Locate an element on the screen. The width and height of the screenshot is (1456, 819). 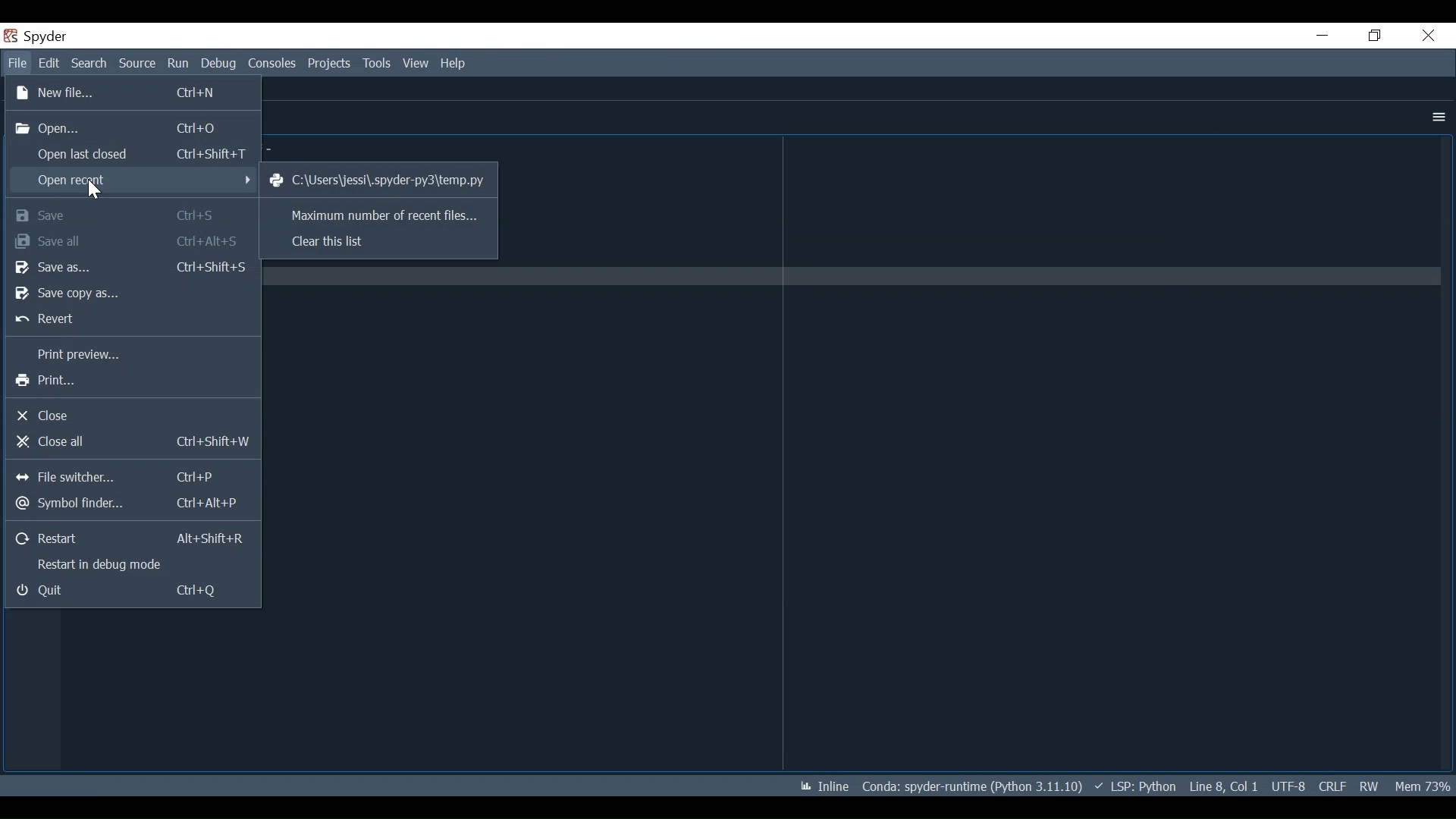
UTF-8 is located at coordinates (1287, 784).